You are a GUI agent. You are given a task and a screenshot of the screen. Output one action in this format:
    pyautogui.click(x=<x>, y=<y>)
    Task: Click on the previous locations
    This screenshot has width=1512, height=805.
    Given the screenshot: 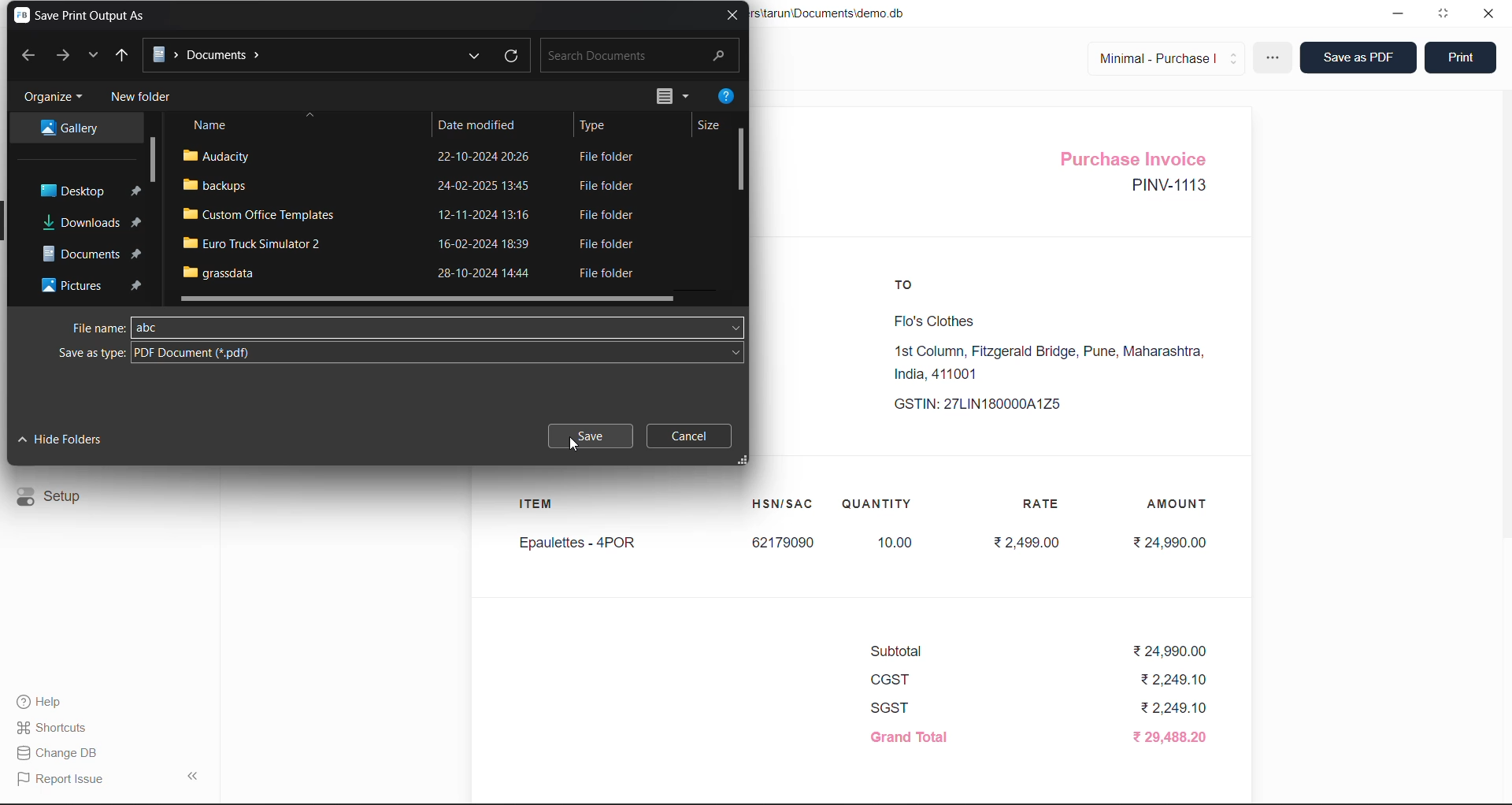 What is the action you would take?
    pyautogui.click(x=476, y=55)
    